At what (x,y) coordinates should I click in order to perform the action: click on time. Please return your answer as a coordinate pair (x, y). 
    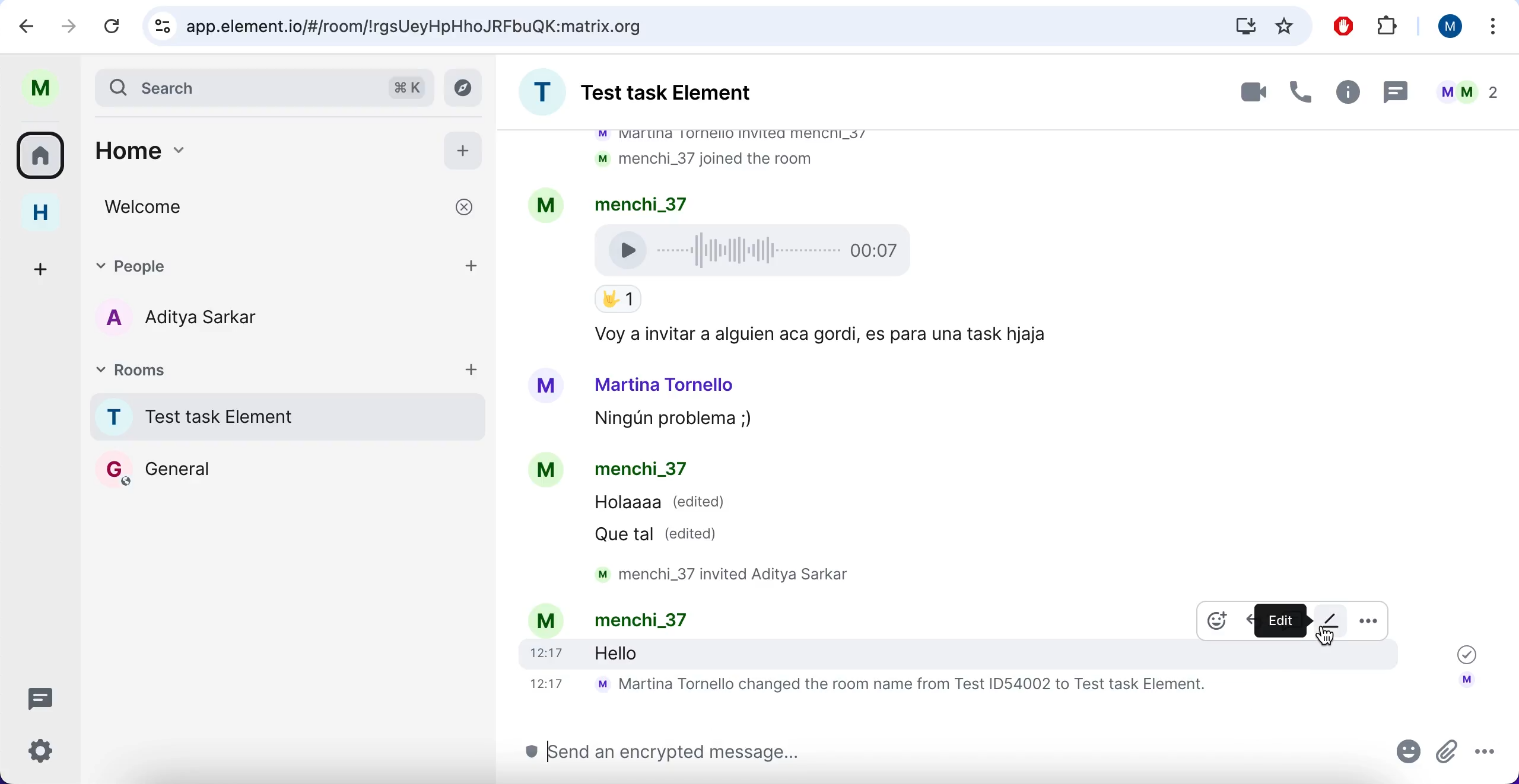
    Looking at the image, I should click on (545, 652).